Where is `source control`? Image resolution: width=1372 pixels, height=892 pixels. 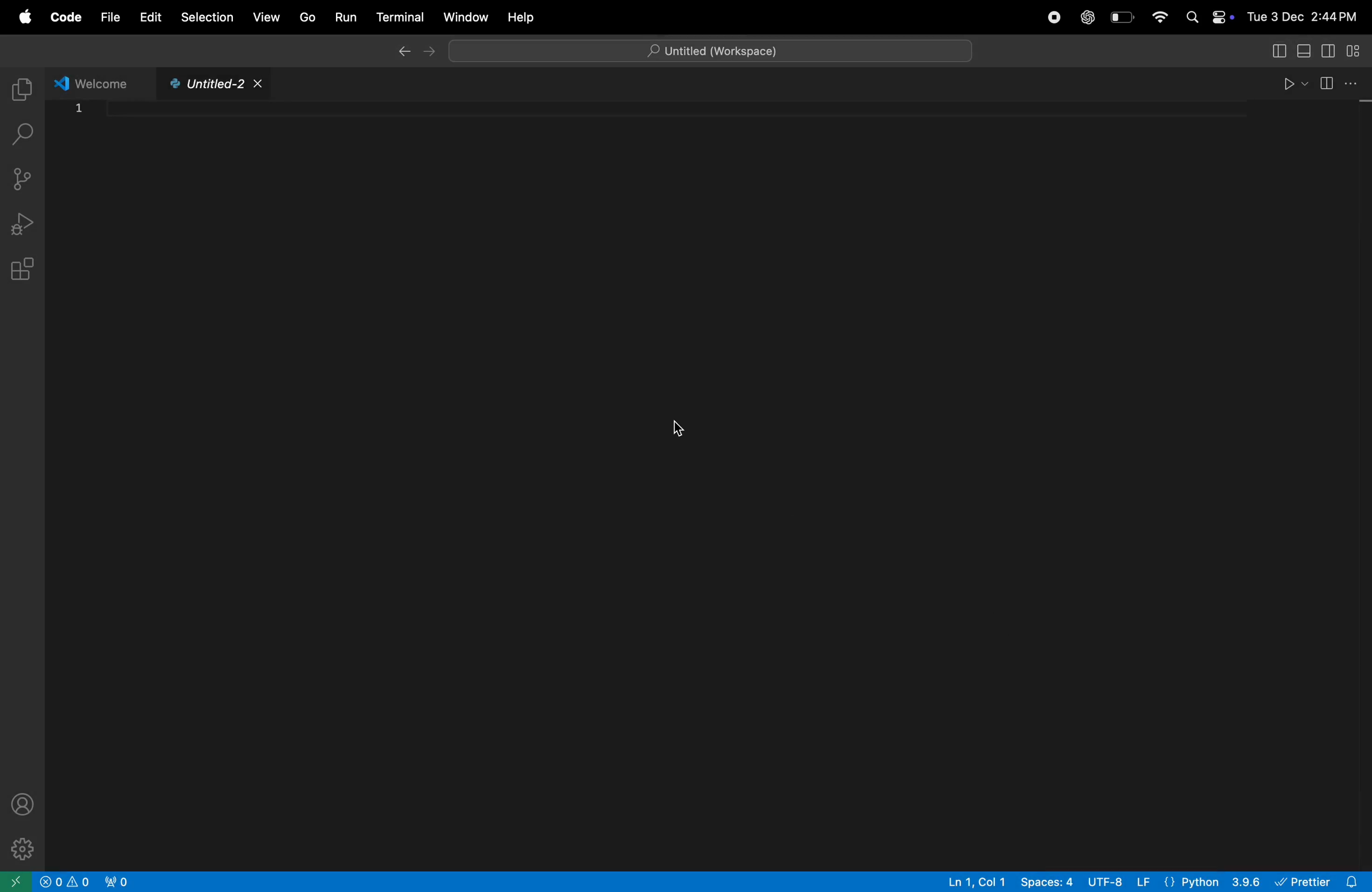 source control is located at coordinates (24, 177).